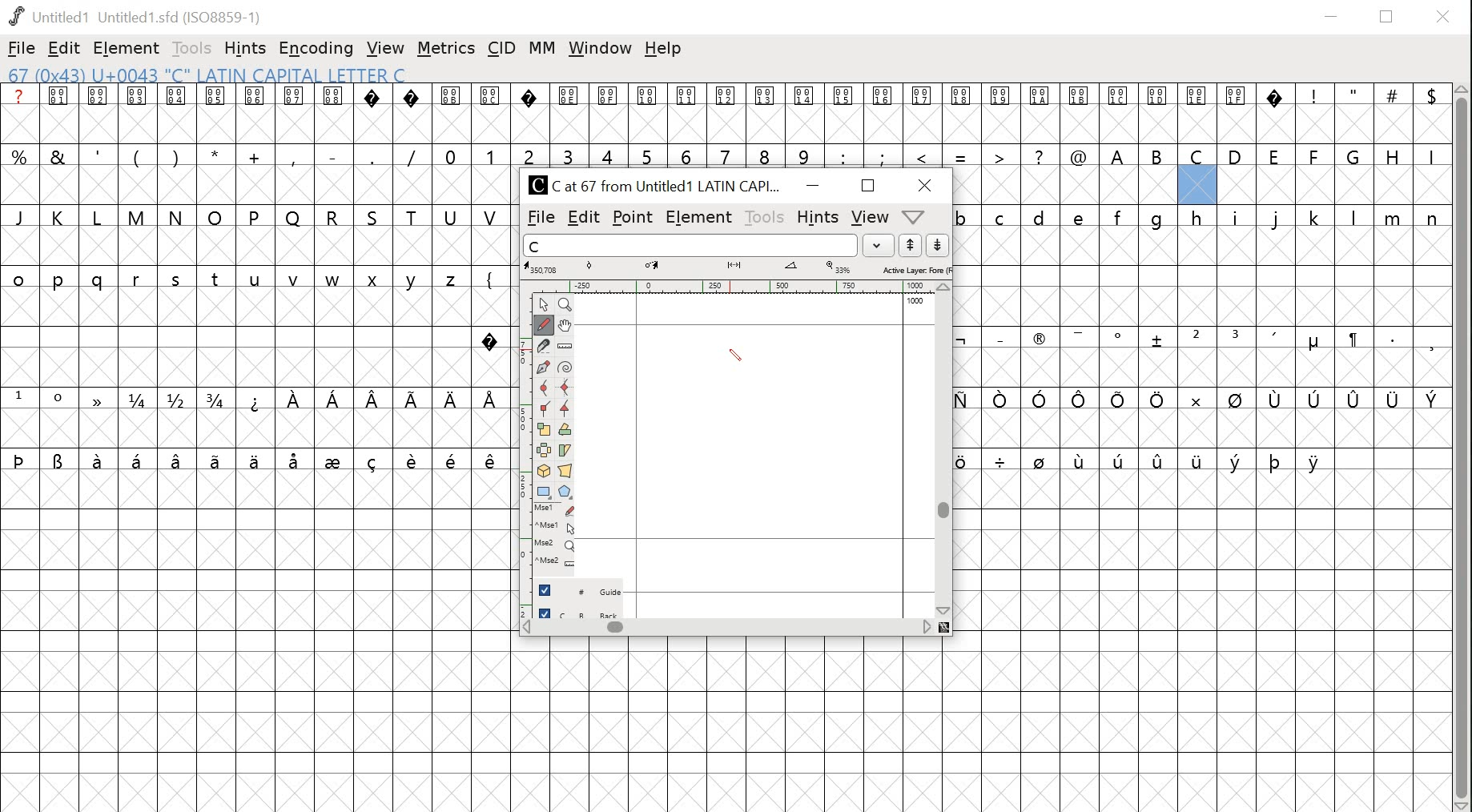 This screenshot has width=1472, height=812. What do you see at coordinates (664, 50) in the screenshot?
I see `help` at bounding box center [664, 50].